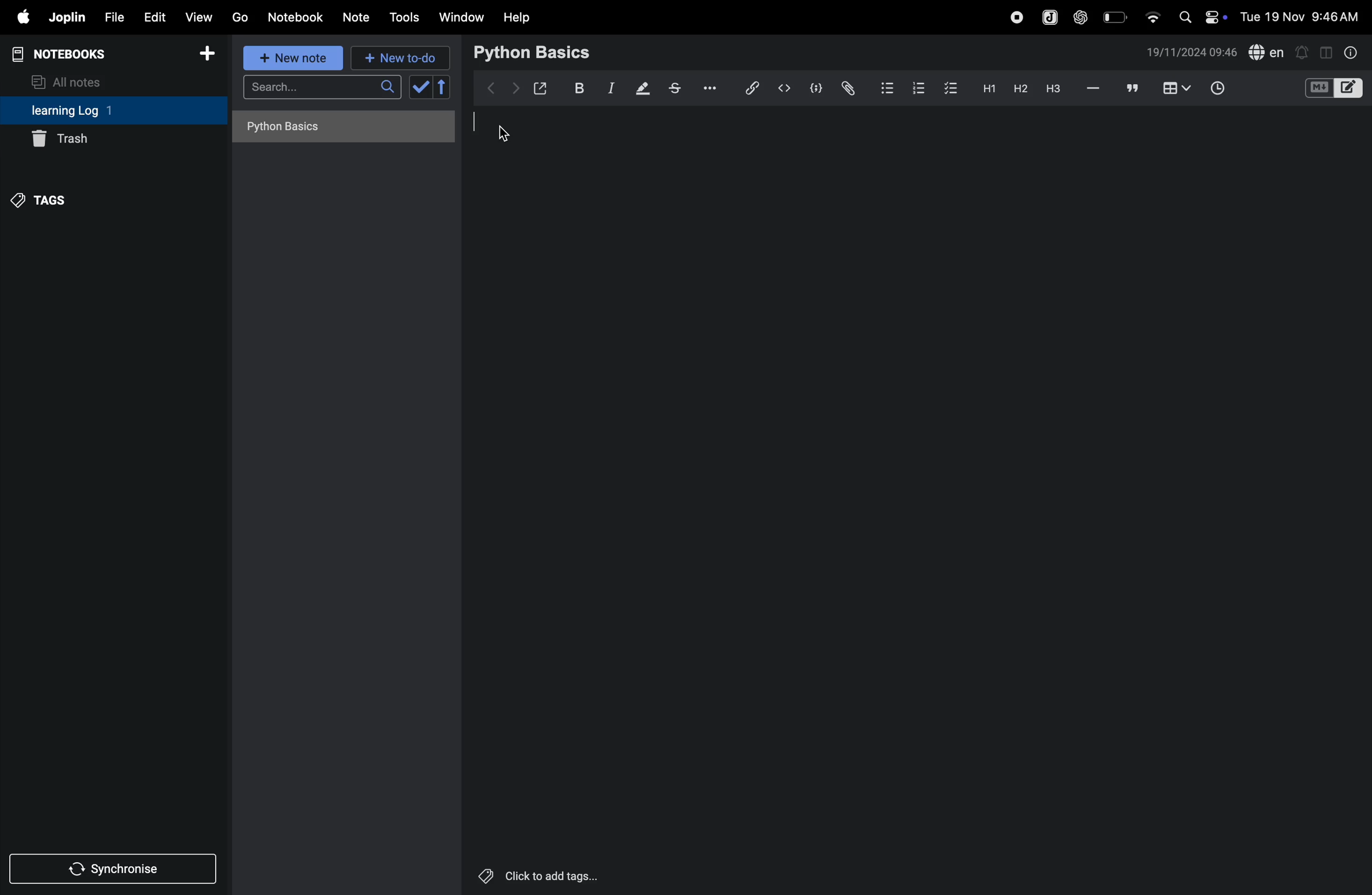  What do you see at coordinates (1174, 89) in the screenshot?
I see `add table` at bounding box center [1174, 89].